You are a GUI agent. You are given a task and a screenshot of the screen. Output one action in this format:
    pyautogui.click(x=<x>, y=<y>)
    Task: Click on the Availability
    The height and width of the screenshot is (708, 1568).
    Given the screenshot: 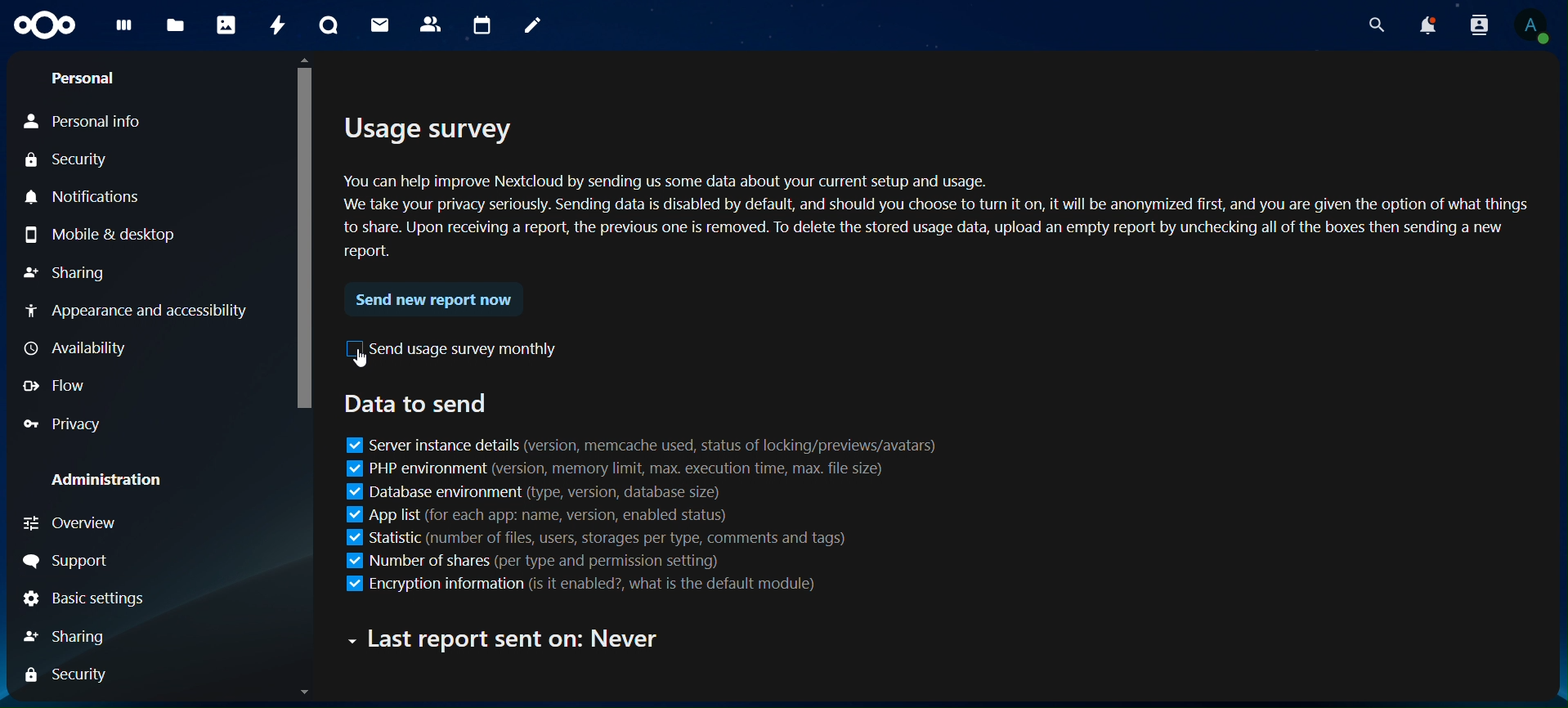 What is the action you would take?
    pyautogui.click(x=78, y=347)
    